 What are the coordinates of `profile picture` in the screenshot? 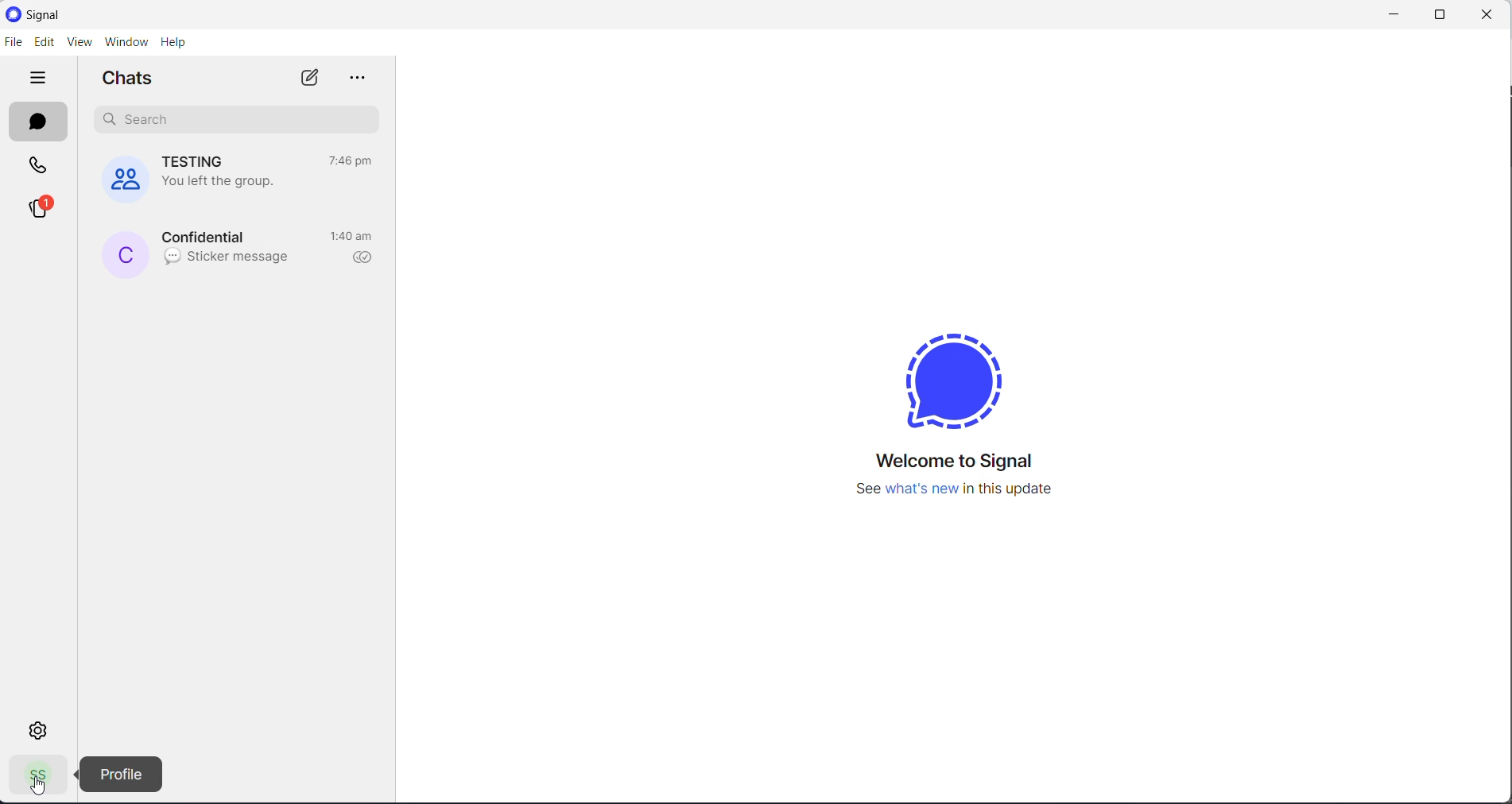 It's located at (122, 254).